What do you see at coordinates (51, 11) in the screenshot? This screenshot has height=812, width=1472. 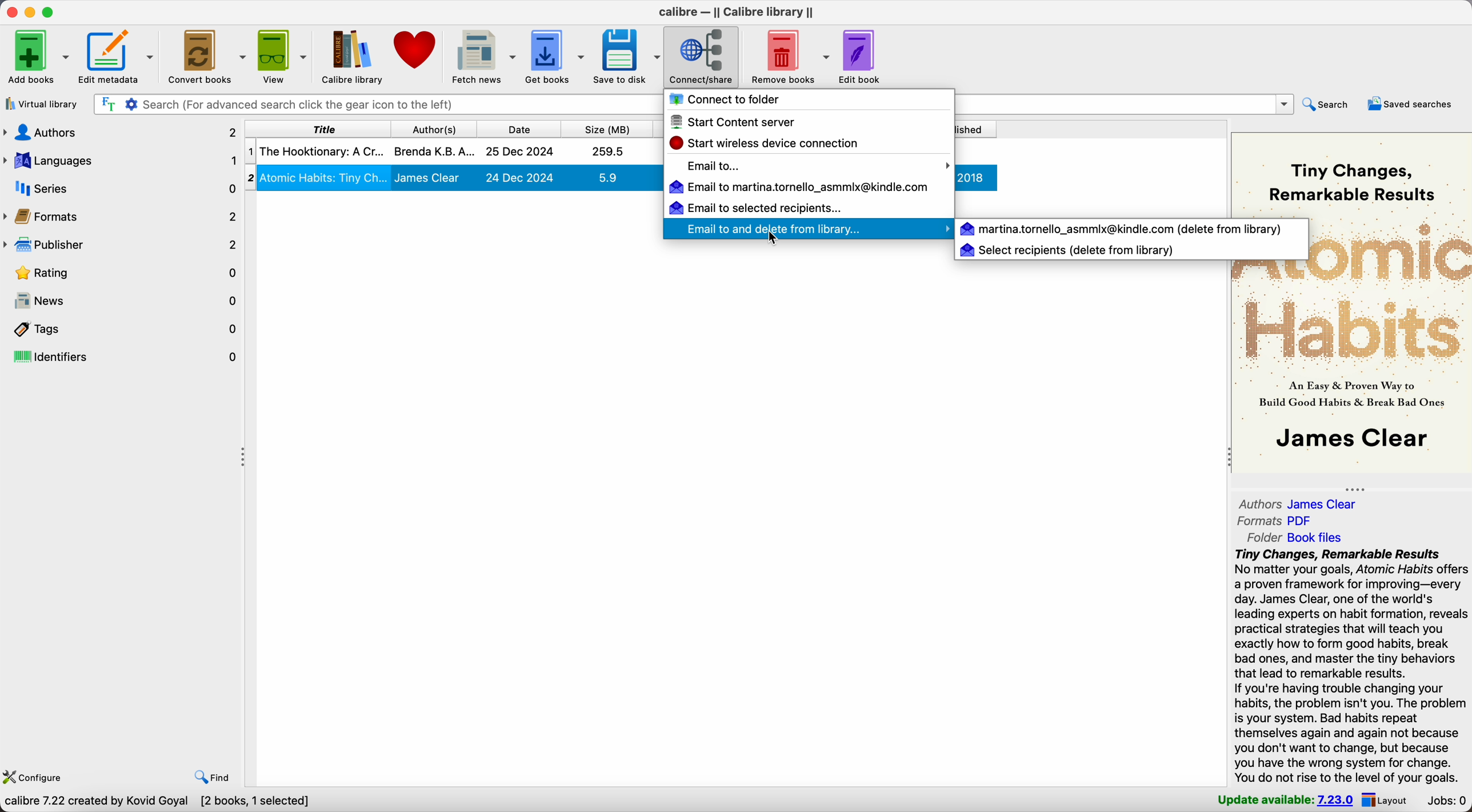 I see `maximize Calibre` at bounding box center [51, 11].